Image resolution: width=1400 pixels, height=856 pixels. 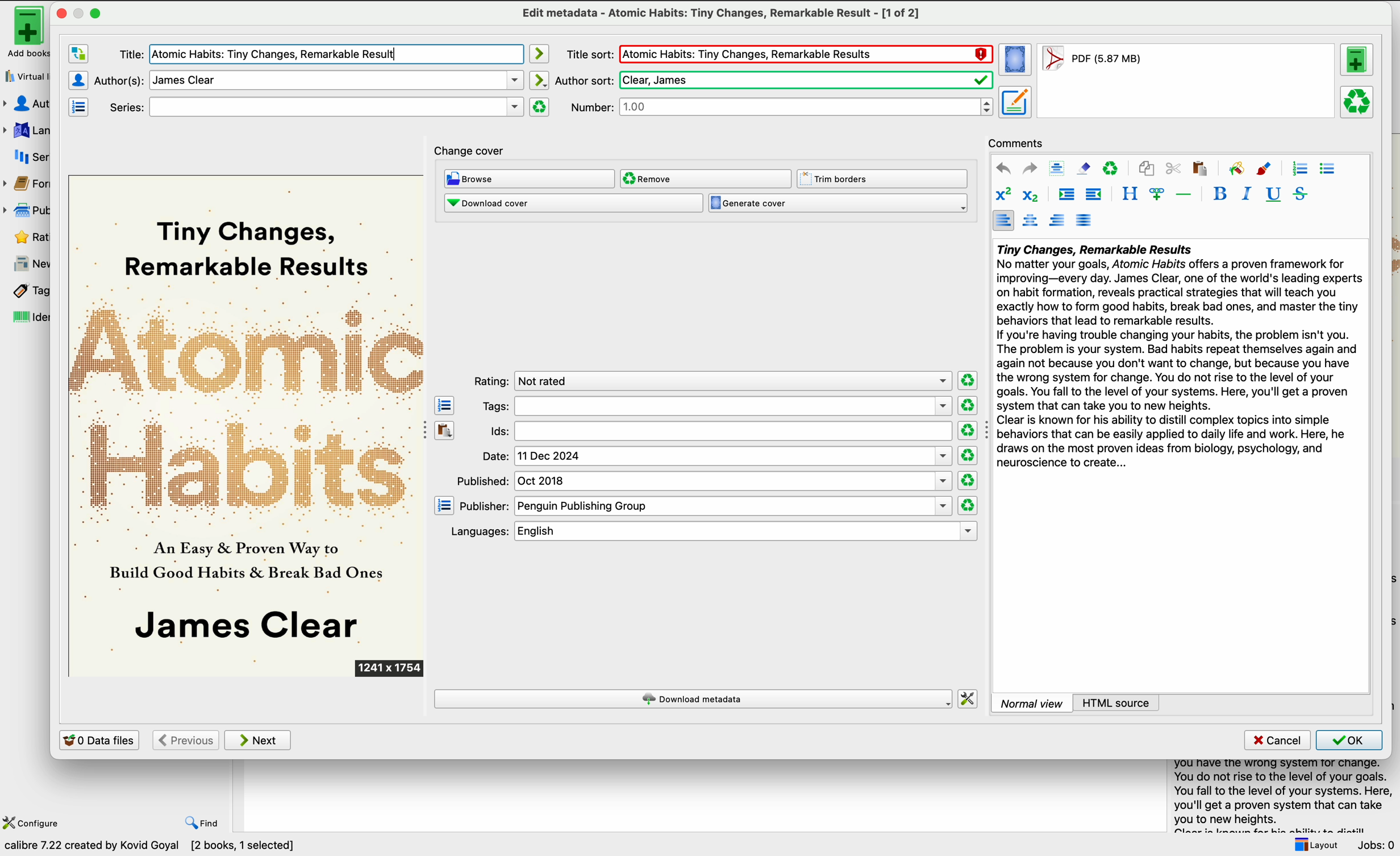 I want to click on open the manage publisher editor, so click(x=444, y=505).